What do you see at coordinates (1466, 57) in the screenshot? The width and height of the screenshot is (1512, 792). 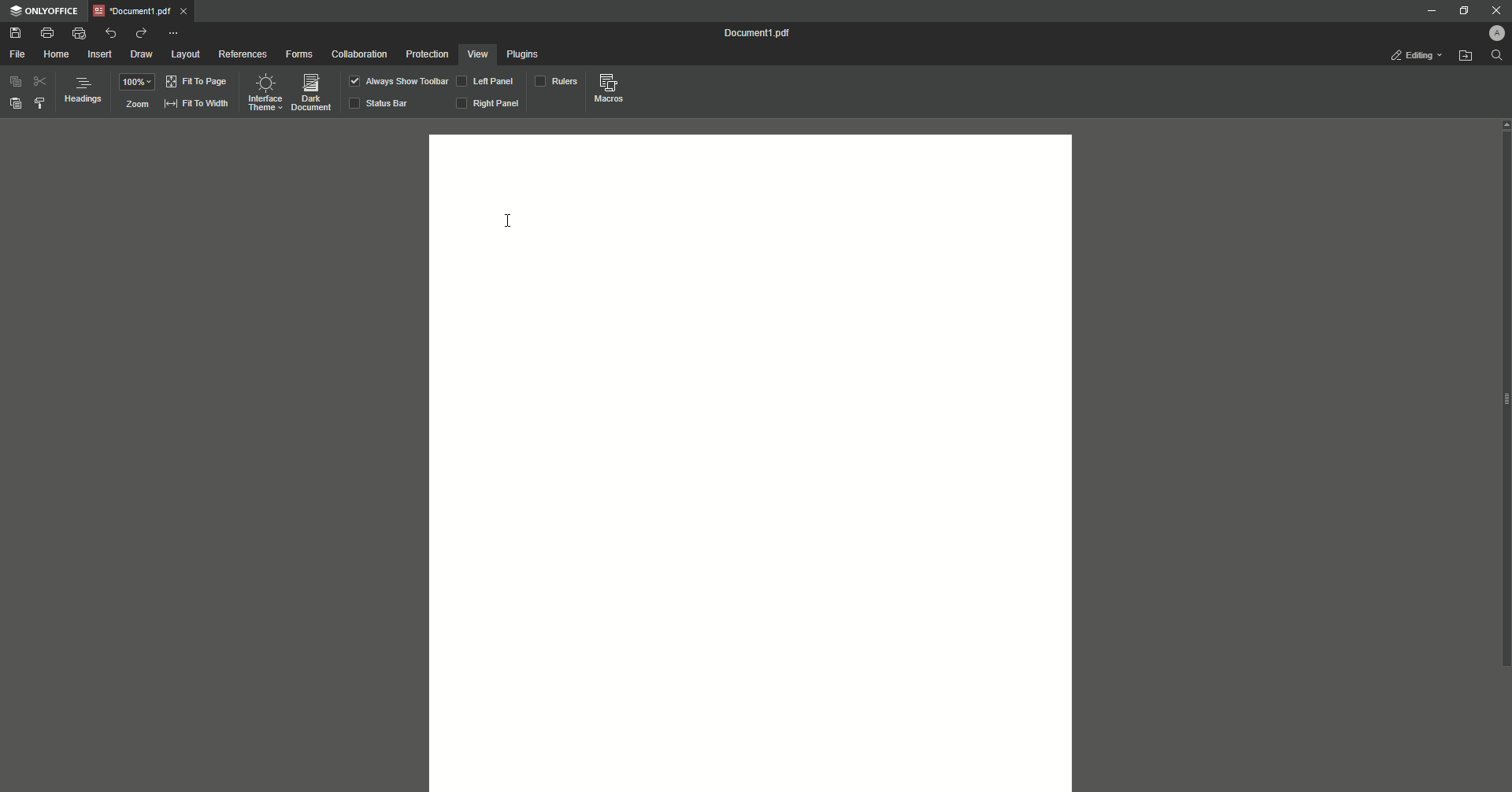 I see `Open` at bounding box center [1466, 57].